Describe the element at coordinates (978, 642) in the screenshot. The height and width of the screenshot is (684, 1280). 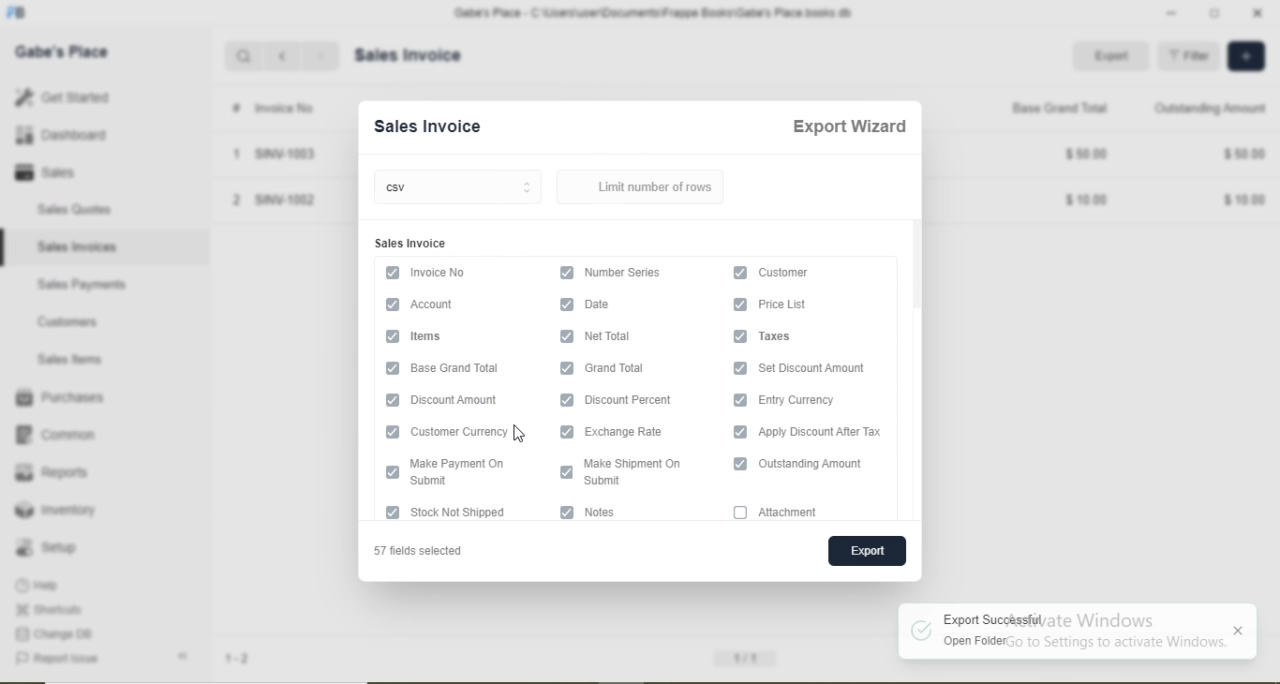
I see `Open folder` at that location.